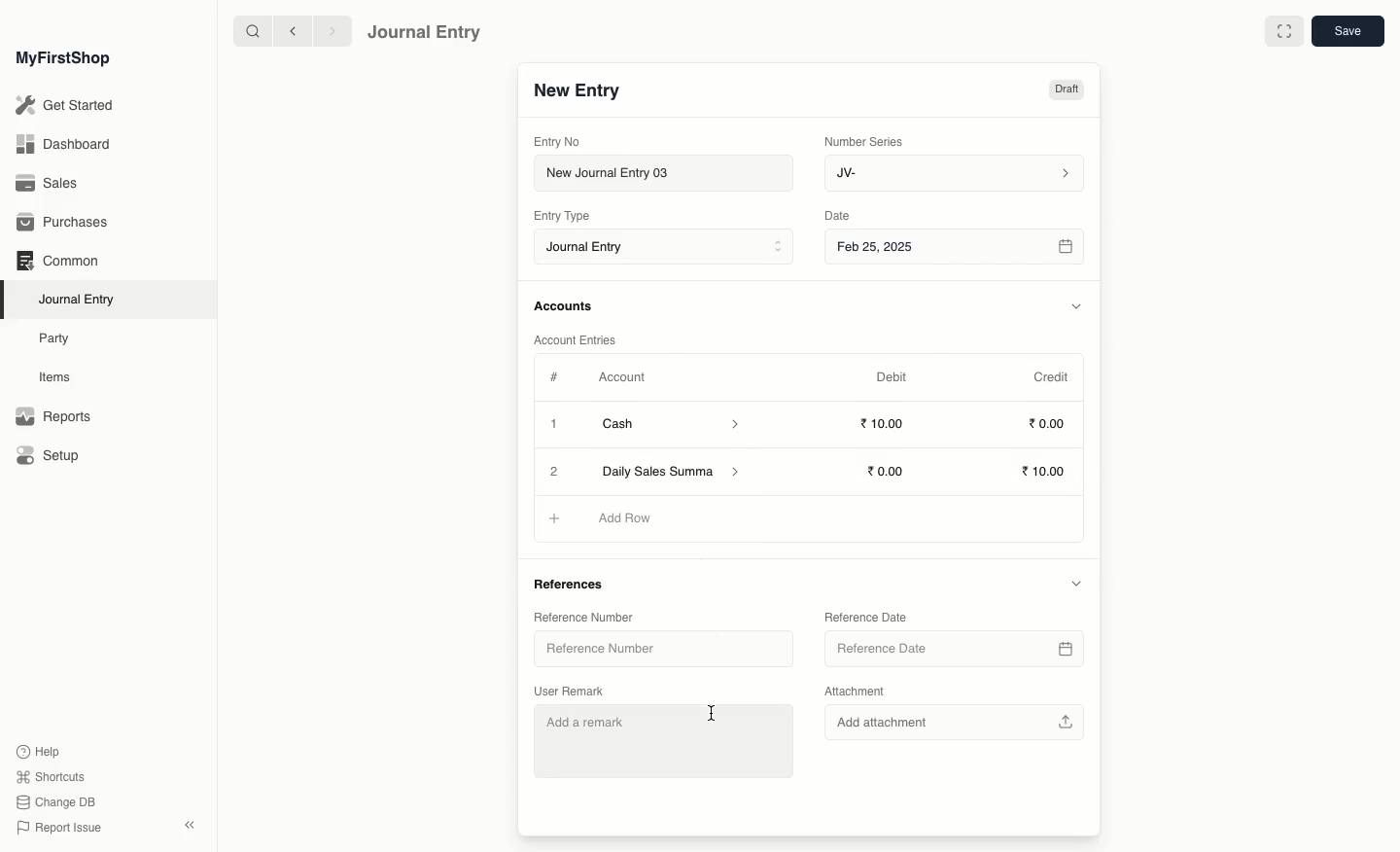  Describe the element at coordinates (670, 424) in the screenshot. I see `Cash` at that location.